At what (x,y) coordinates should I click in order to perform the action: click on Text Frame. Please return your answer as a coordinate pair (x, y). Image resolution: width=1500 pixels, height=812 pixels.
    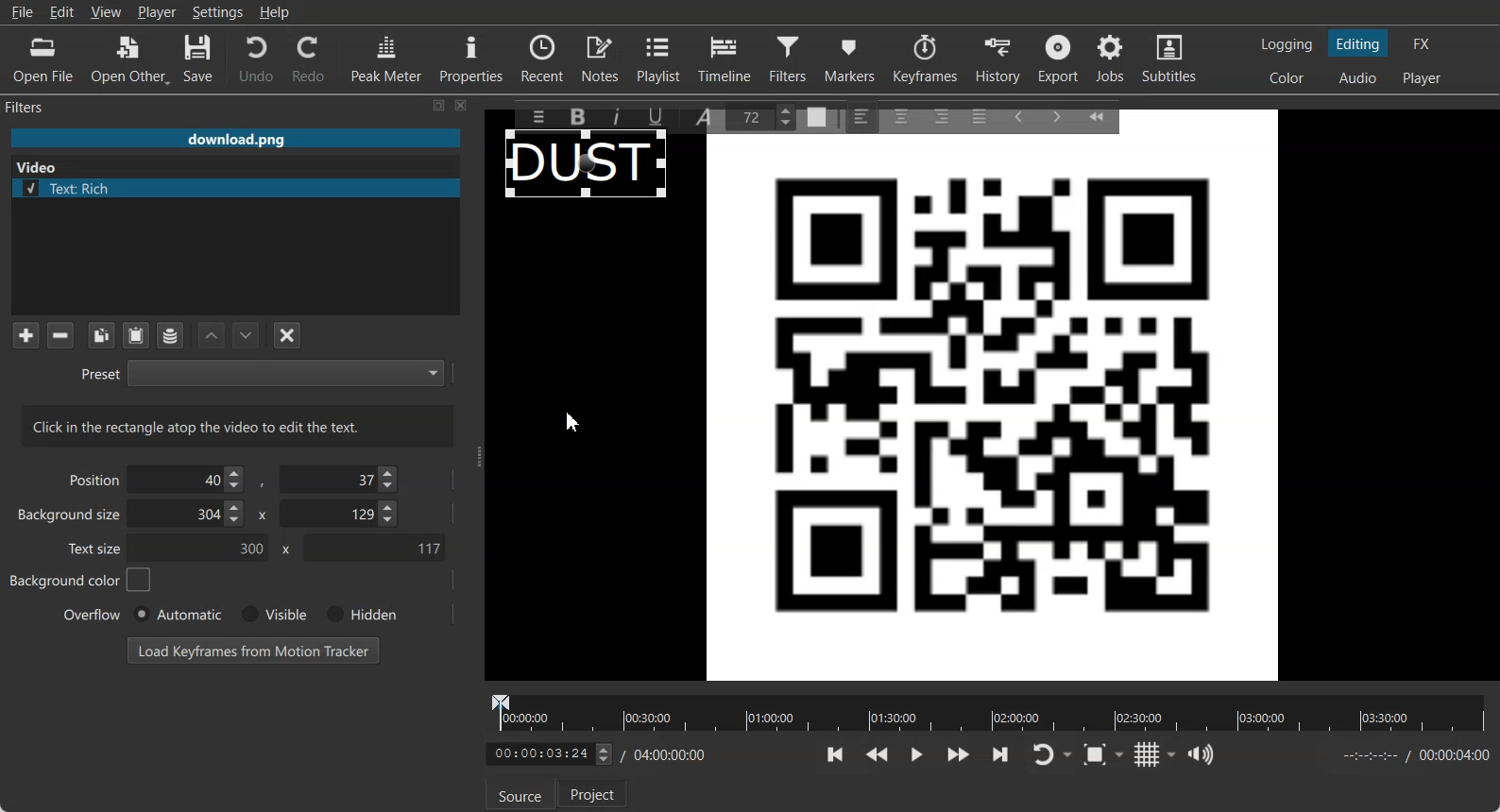
    Looking at the image, I should click on (588, 168).